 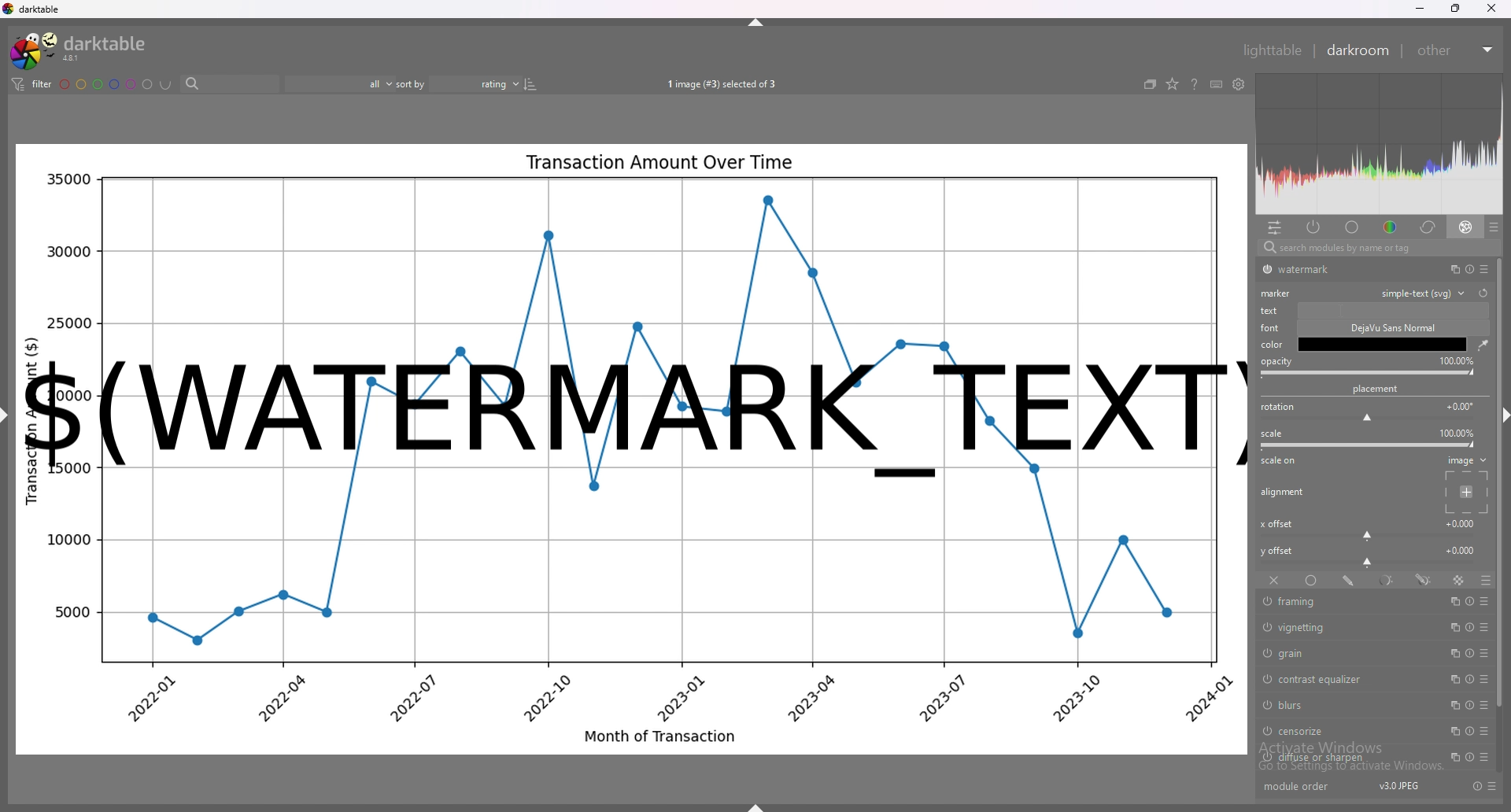 What do you see at coordinates (1484, 580) in the screenshot?
I see `blending options` at bounding box center [1484, 580].